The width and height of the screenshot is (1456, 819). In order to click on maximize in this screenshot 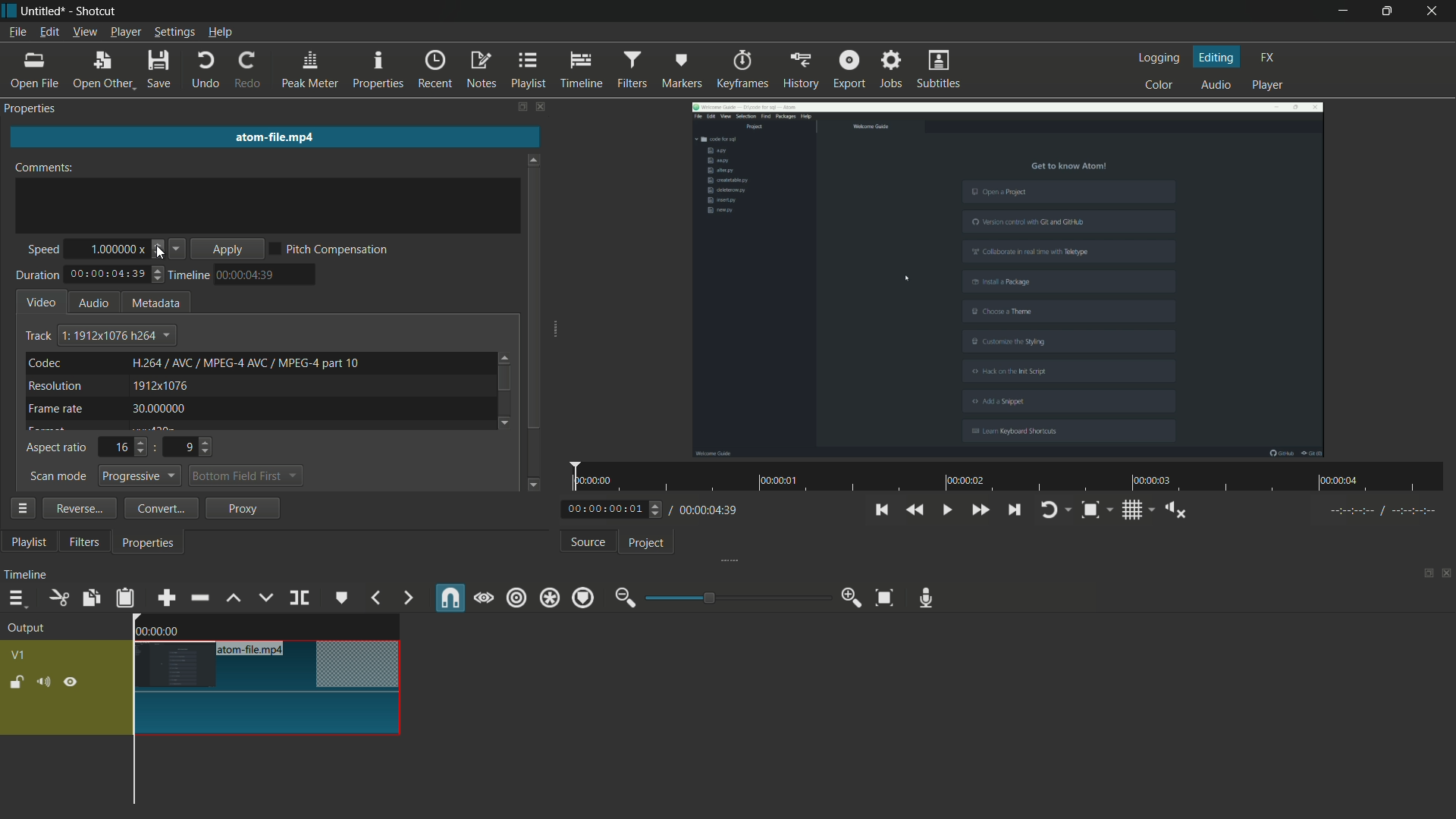, I will do `click(1384, 11)`.